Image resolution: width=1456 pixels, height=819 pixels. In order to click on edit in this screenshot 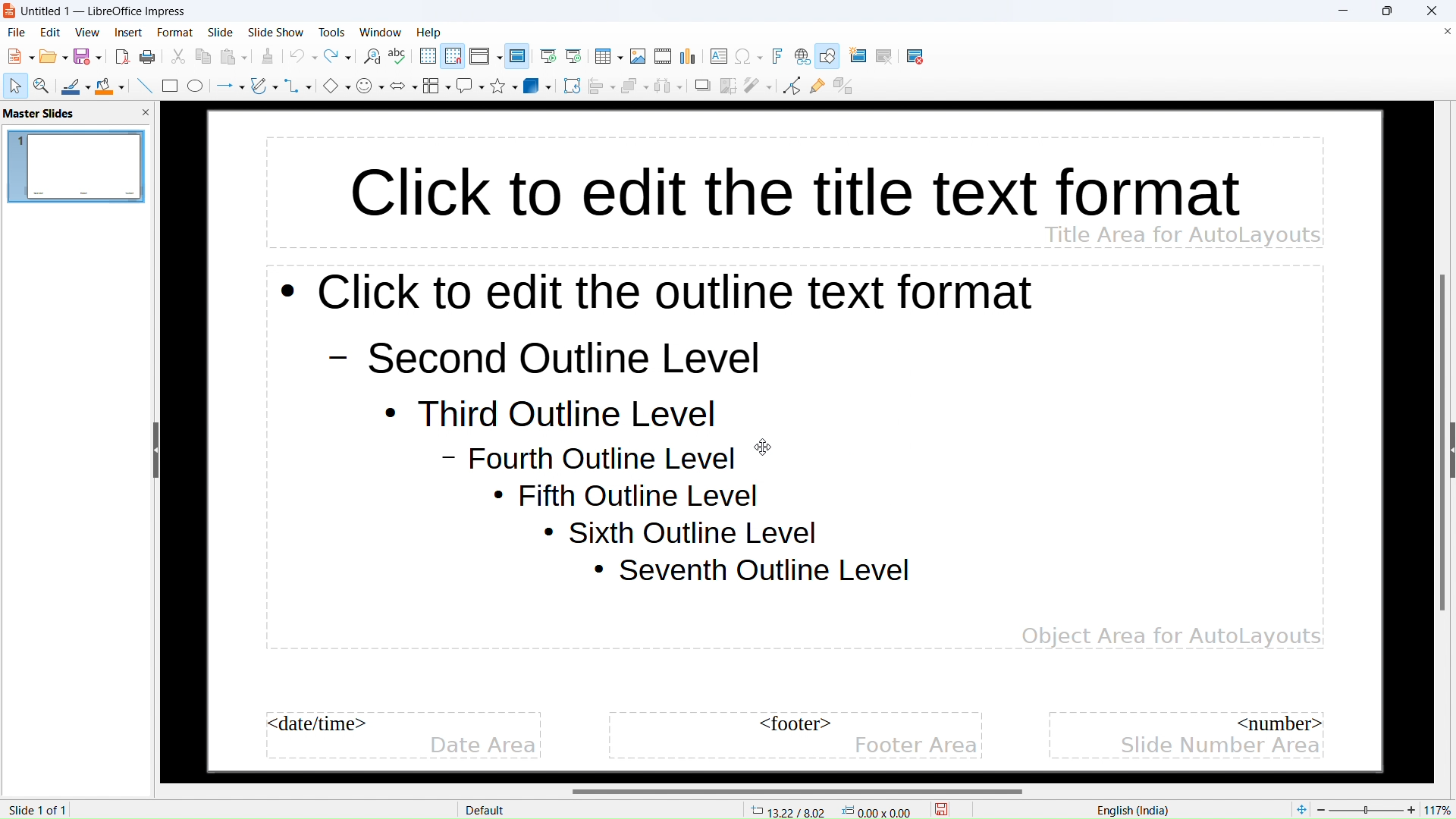, I will do `click(51, 33)`.